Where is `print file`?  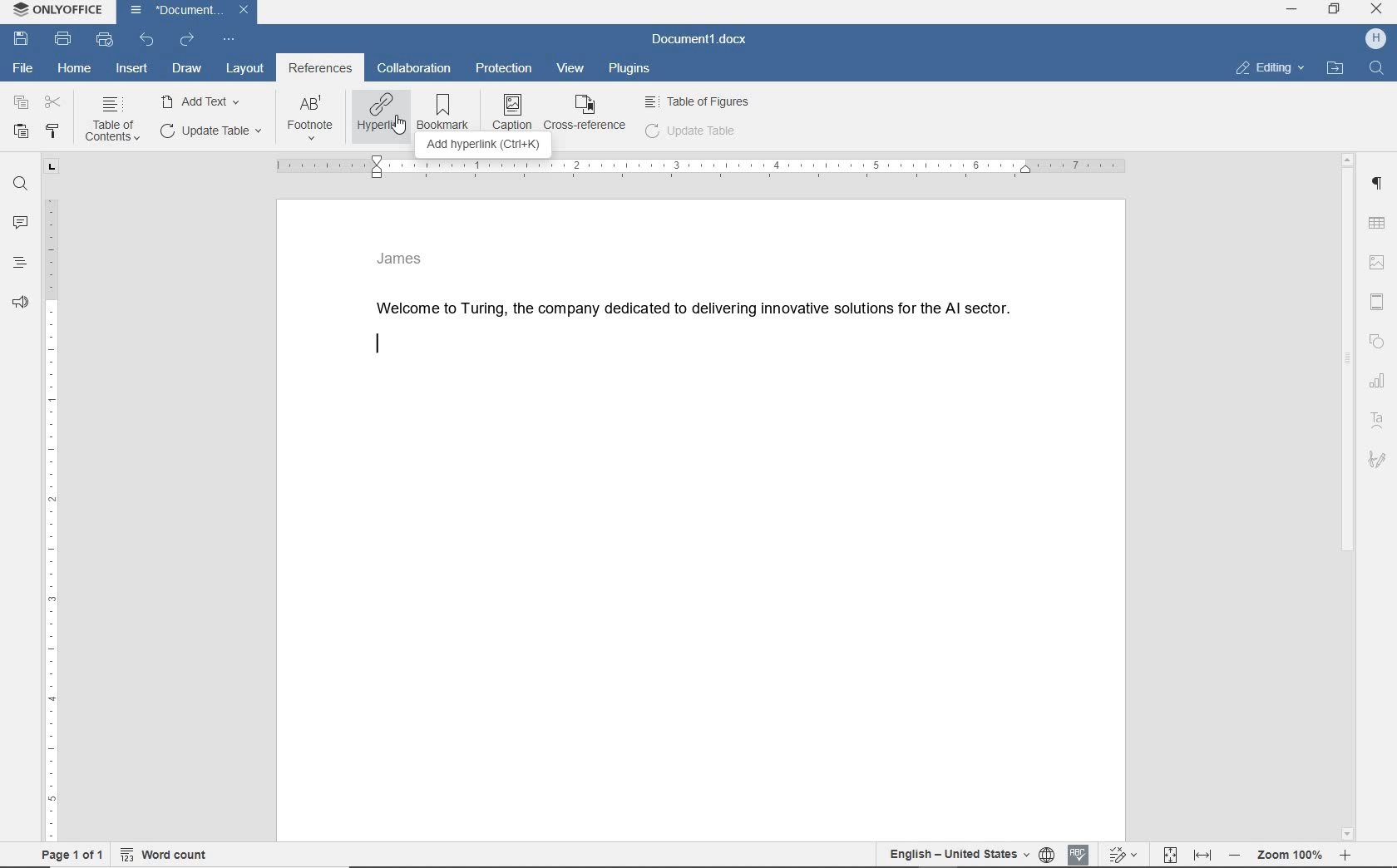 print file is located at coordinates (64, 40).